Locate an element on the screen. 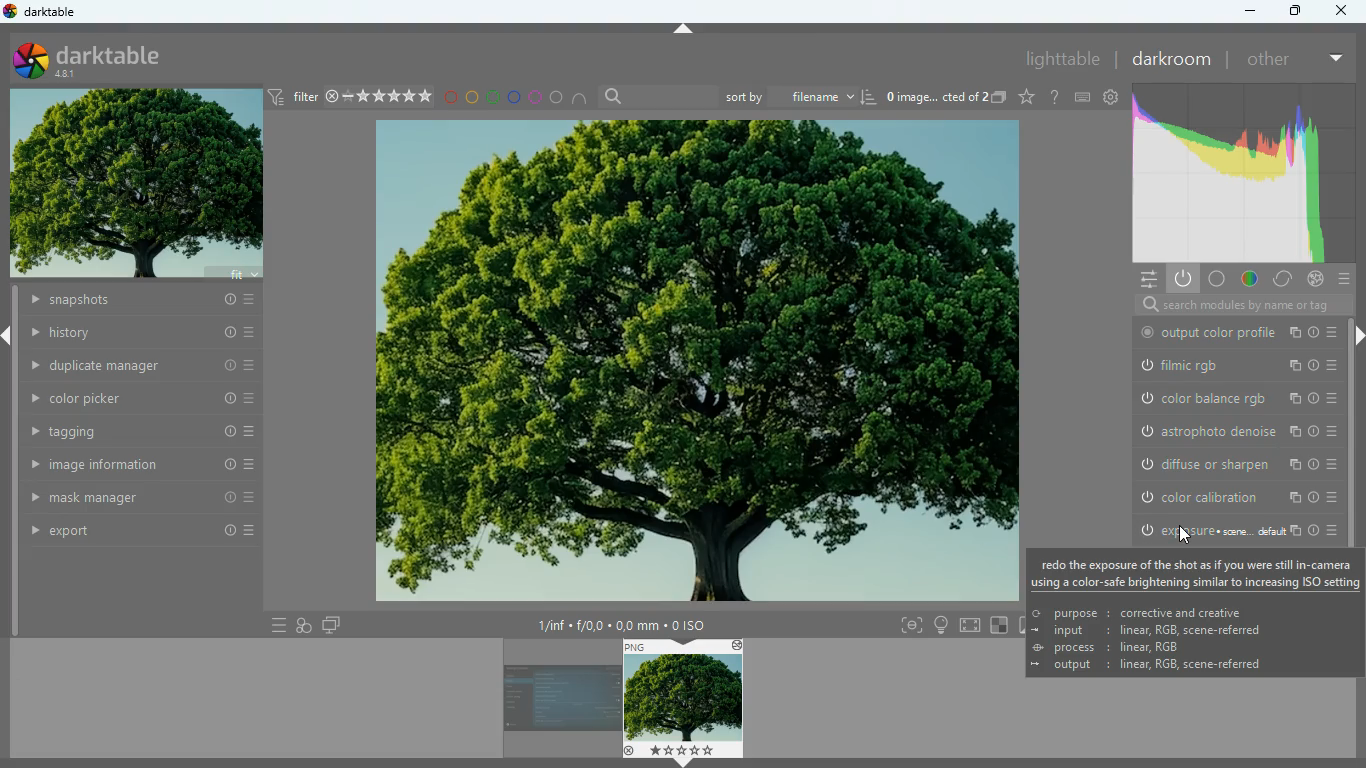 The width and height of the screenshot is (1366, 768). image is located at coordinates (561, 702).